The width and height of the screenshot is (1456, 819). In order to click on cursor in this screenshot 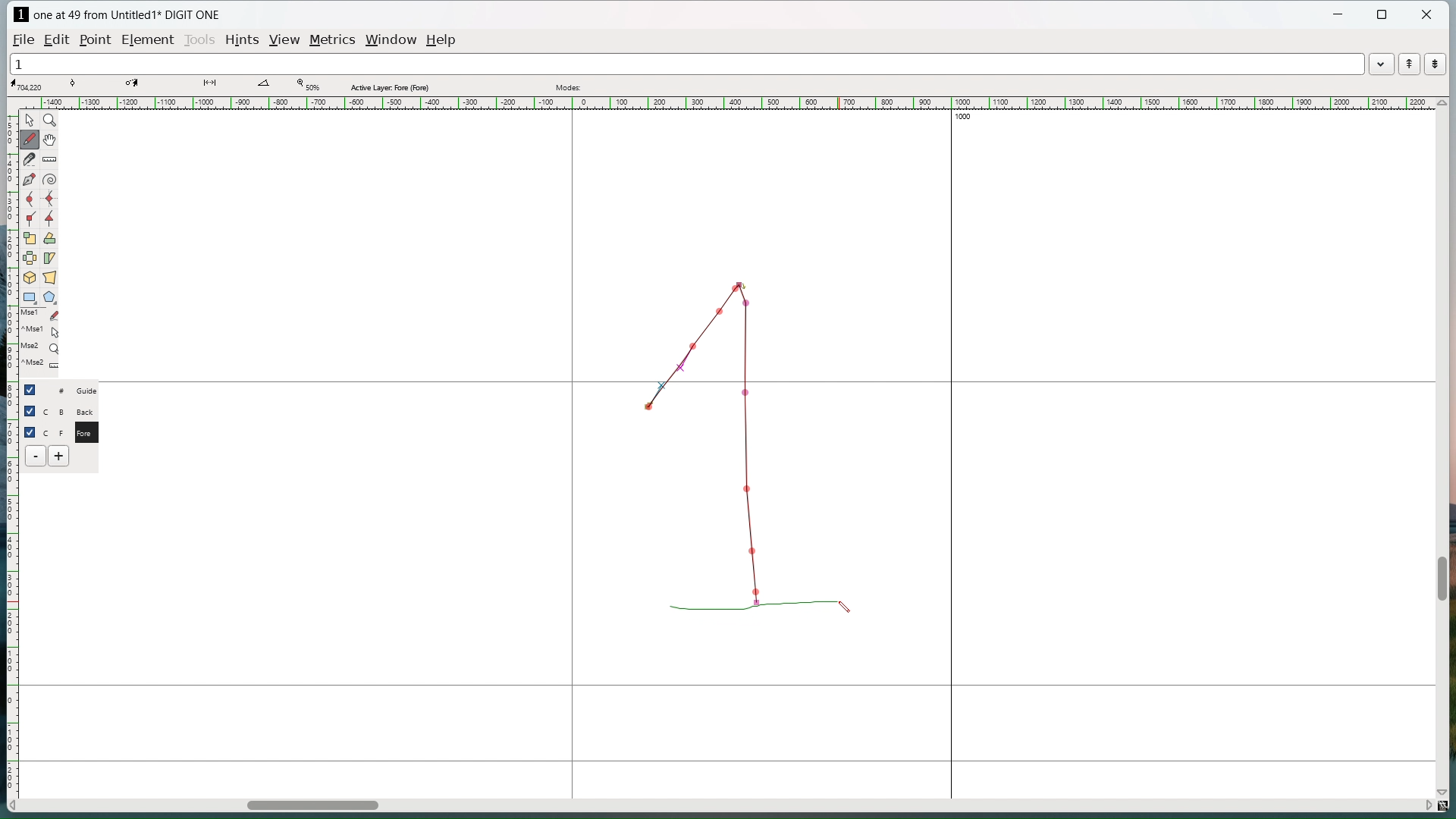, I will do `click(849, 605)`.